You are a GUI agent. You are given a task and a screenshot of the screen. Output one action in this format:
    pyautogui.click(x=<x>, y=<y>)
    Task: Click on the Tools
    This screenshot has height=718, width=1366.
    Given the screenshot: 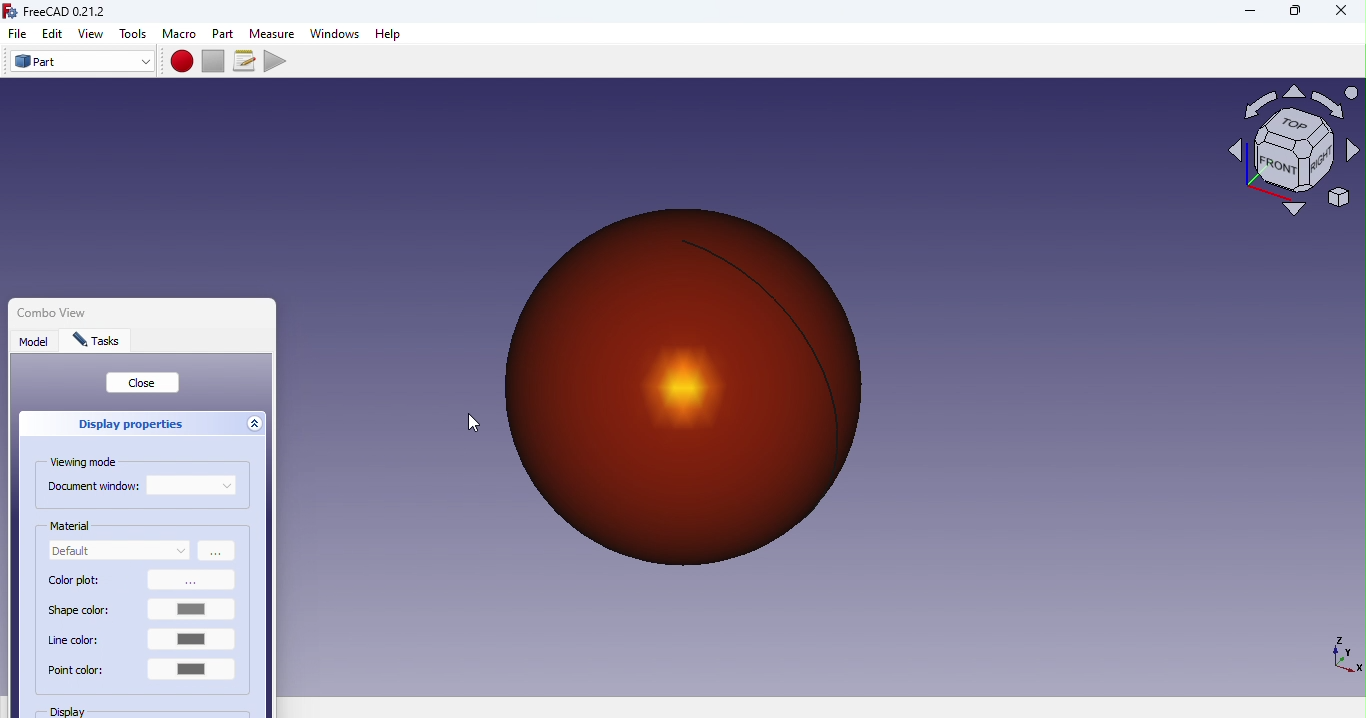 What is the action you would take?
    pyautogui.click(x=134, y=34)
    